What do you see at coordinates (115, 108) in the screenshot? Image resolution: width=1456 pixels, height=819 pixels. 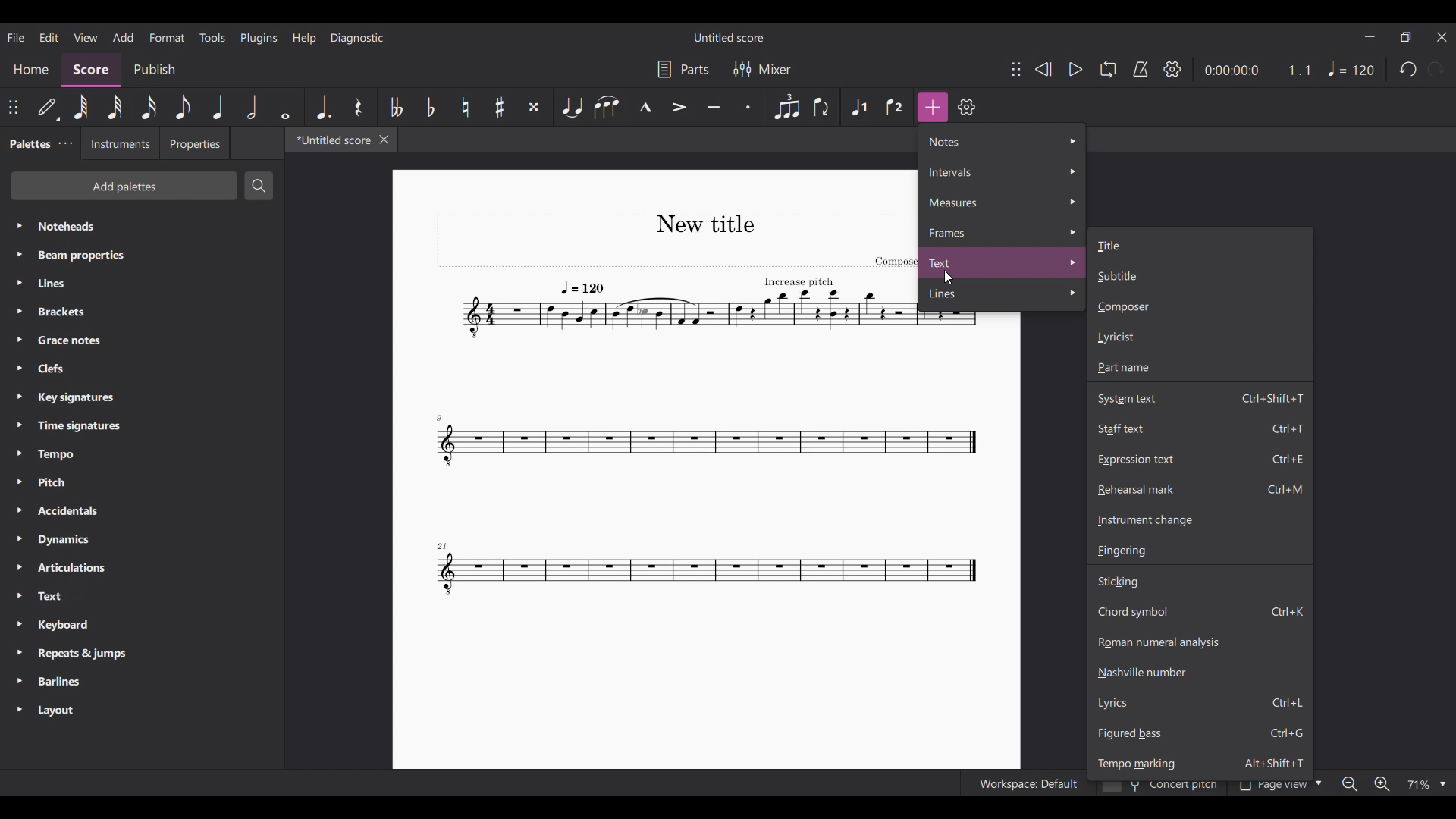 I see `32nd note` at bounding box center [115, 108].